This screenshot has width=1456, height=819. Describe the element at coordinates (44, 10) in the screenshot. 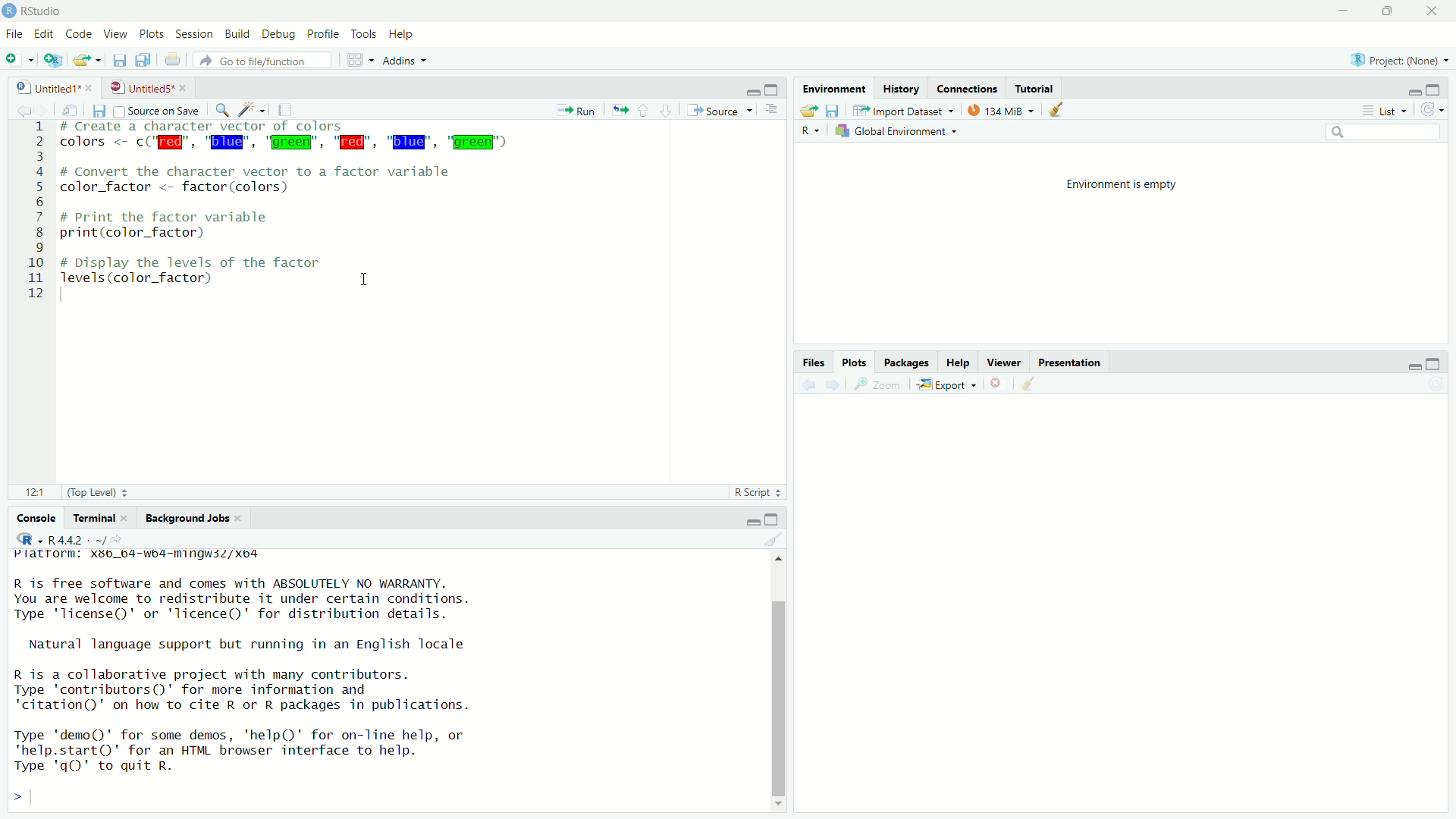

I see `RStudio` at that location.